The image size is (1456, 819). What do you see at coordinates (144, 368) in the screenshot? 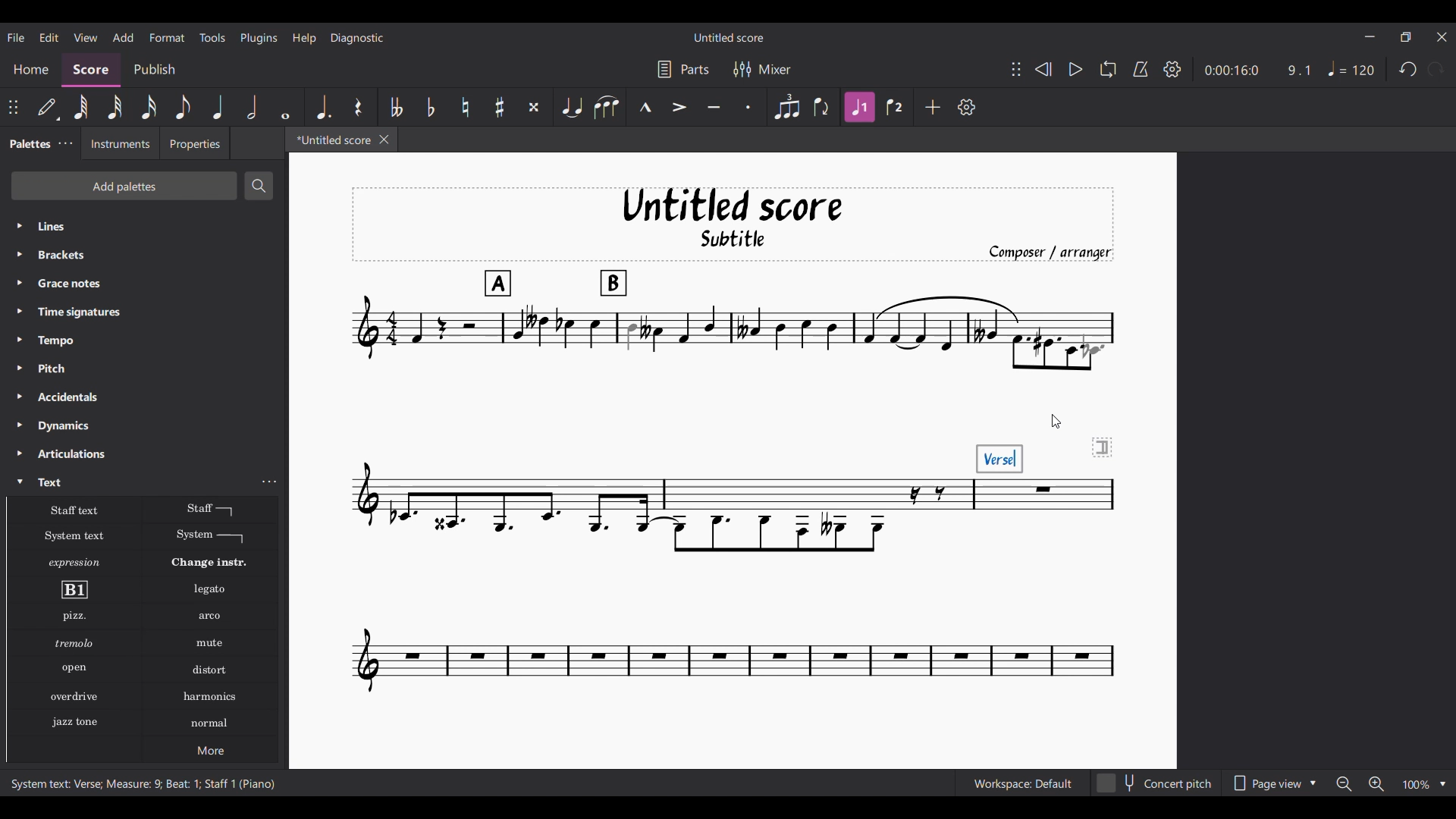
I see `Pitch` at bounding box center [144, 368].